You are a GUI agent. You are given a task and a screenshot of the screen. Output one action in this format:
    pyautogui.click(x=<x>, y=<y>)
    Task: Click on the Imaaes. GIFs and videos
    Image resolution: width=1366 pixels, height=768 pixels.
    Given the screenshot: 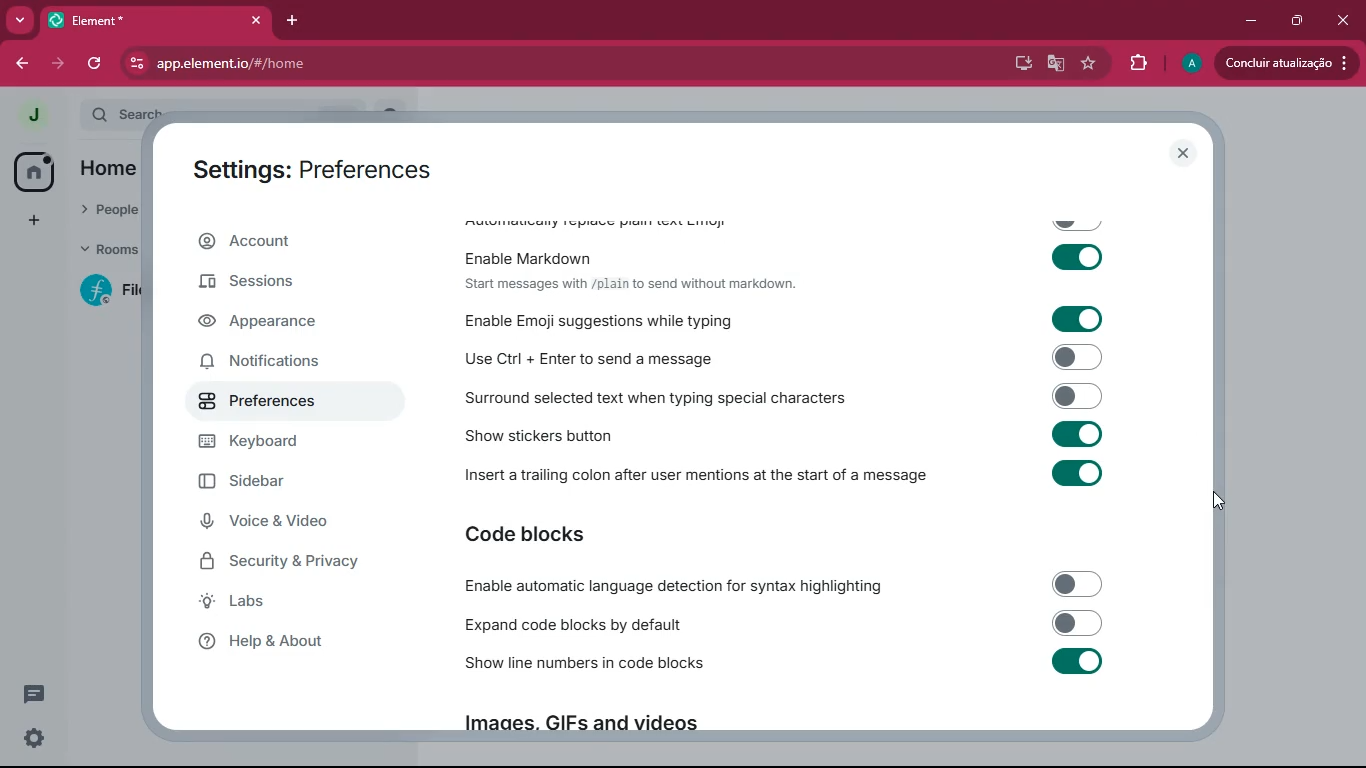 What is the action you would take?
    pyautogui.click(x=578, y=727)
    